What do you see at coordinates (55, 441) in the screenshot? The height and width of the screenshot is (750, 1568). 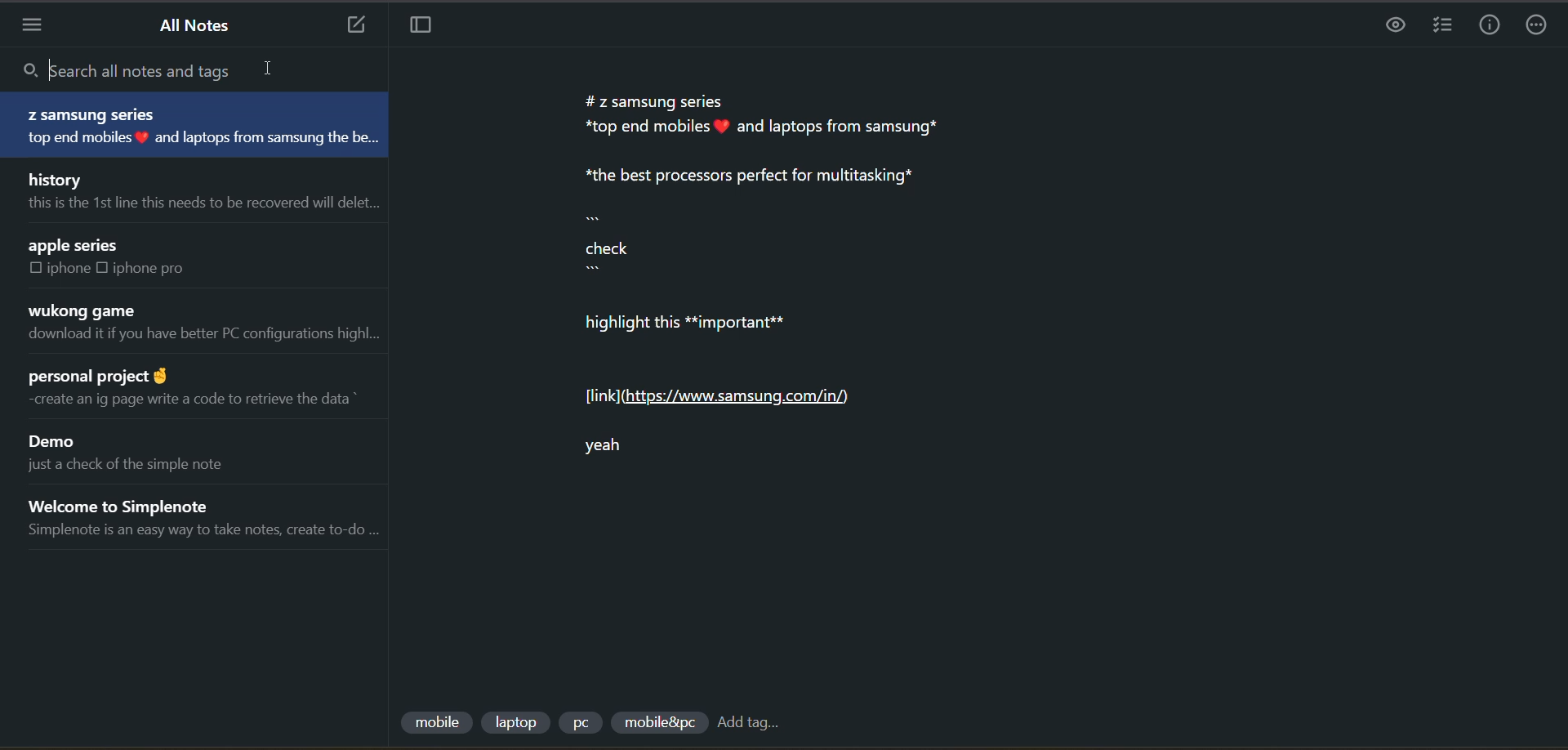 I see `Demo` at bounding box center [55, 441].